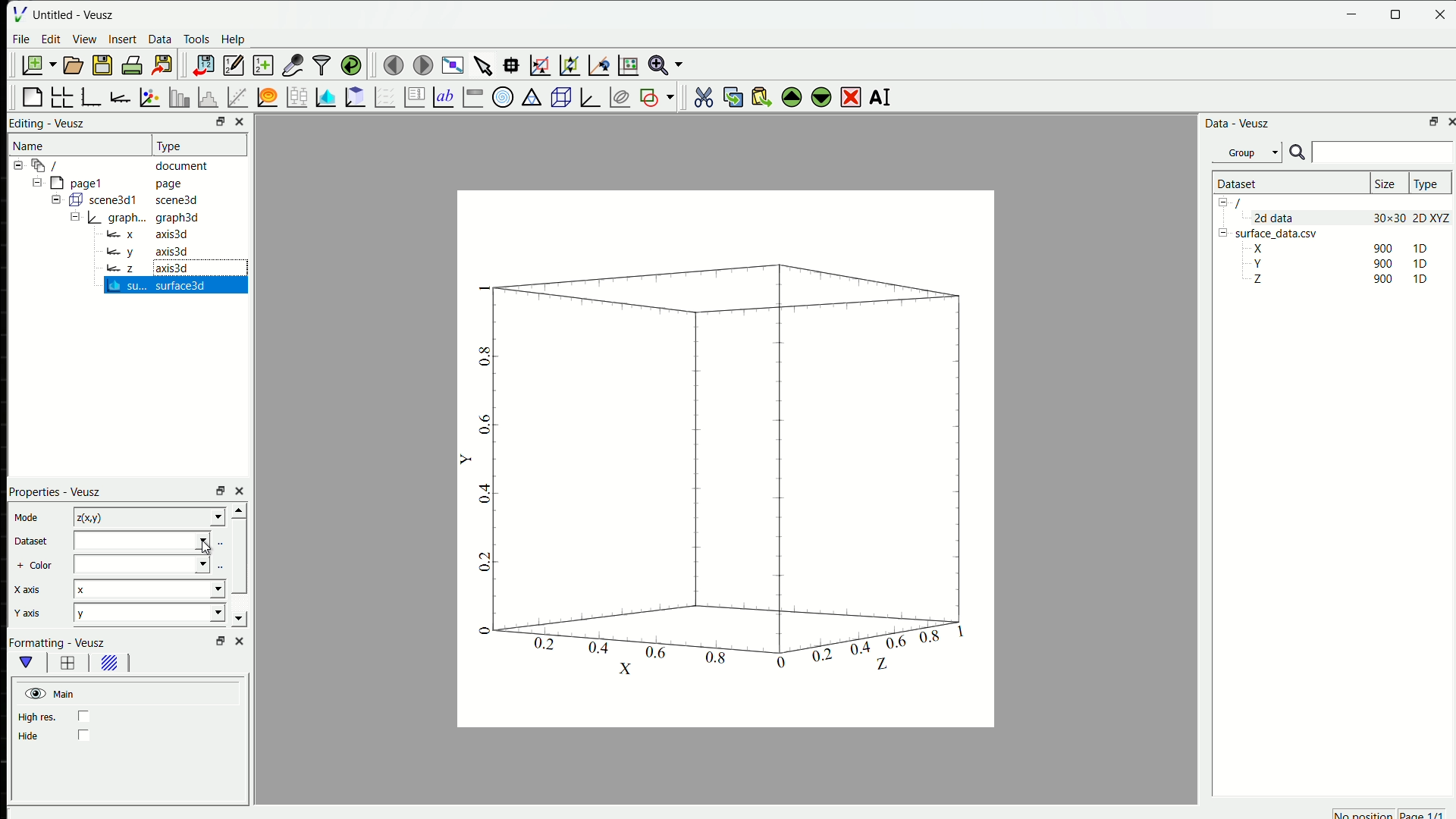 Image resolution: width=1456 pixels, height=819 pixels. I want to click on view plot full screen, so click(453, 65).